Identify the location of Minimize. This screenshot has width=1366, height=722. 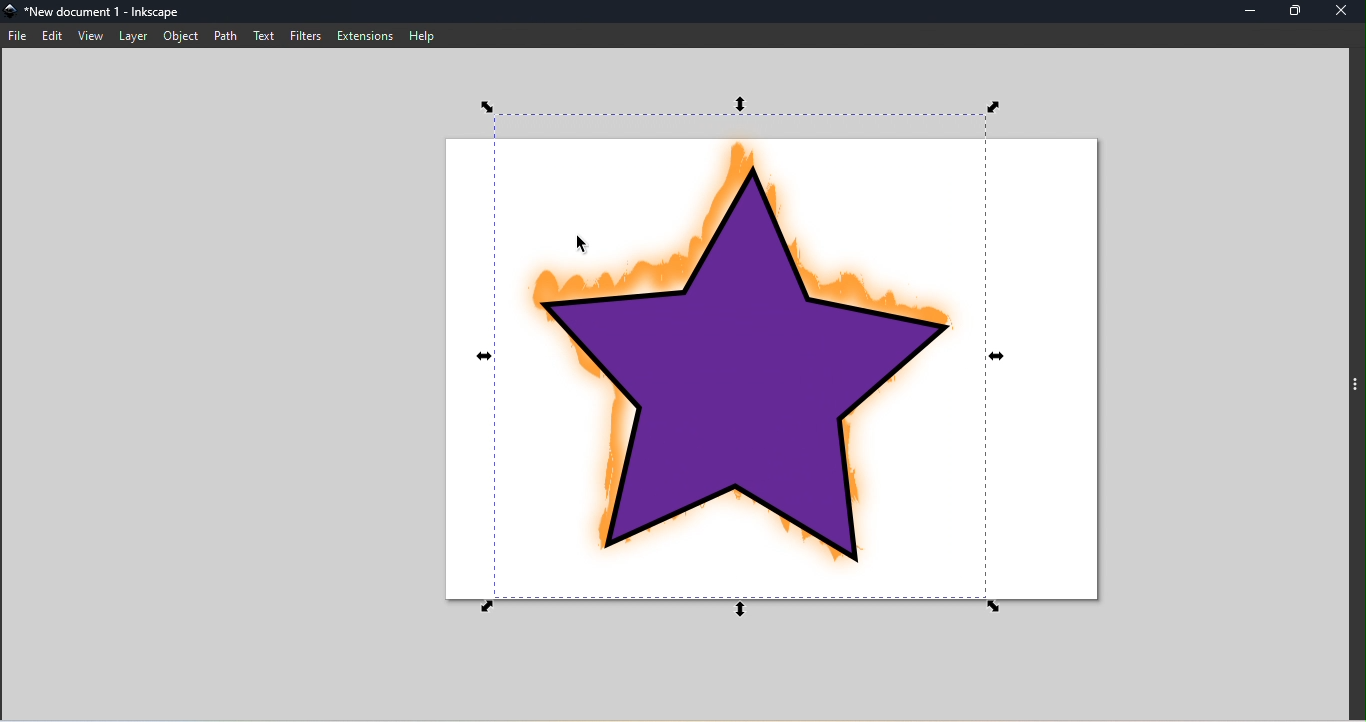
(1248, 11).